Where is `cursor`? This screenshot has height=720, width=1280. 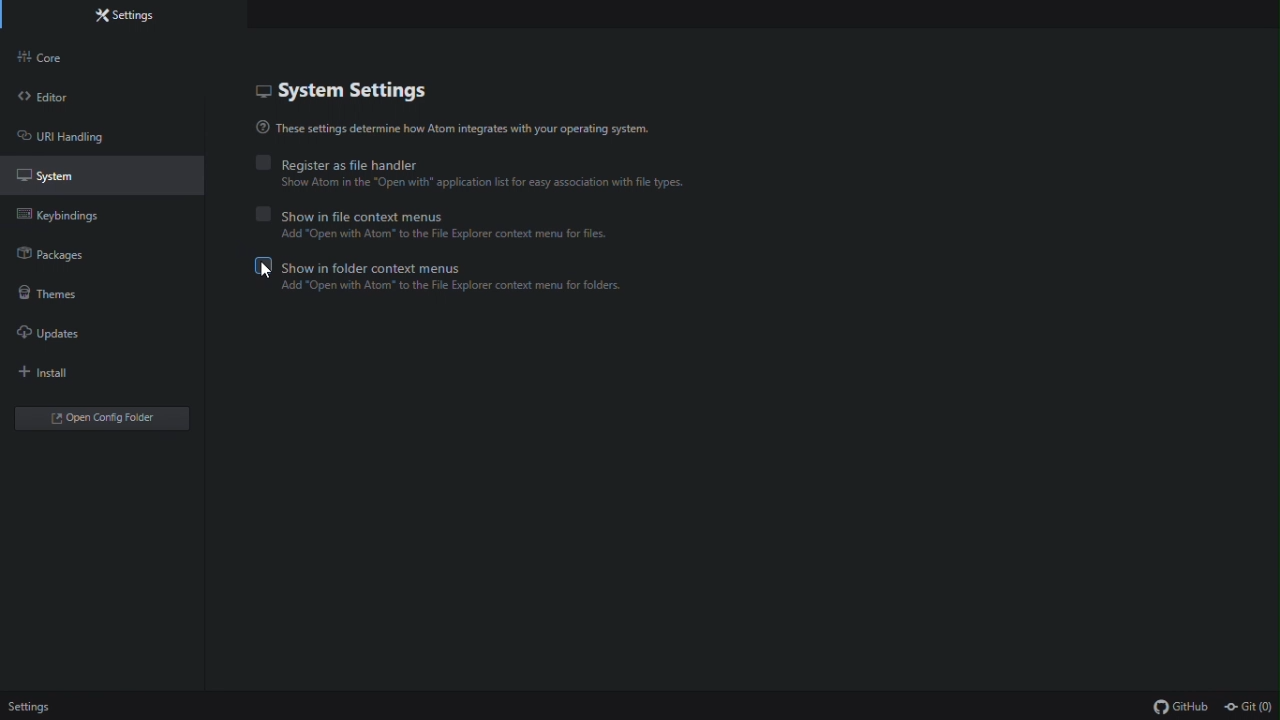 cursor is located at coordinates (267, 274).